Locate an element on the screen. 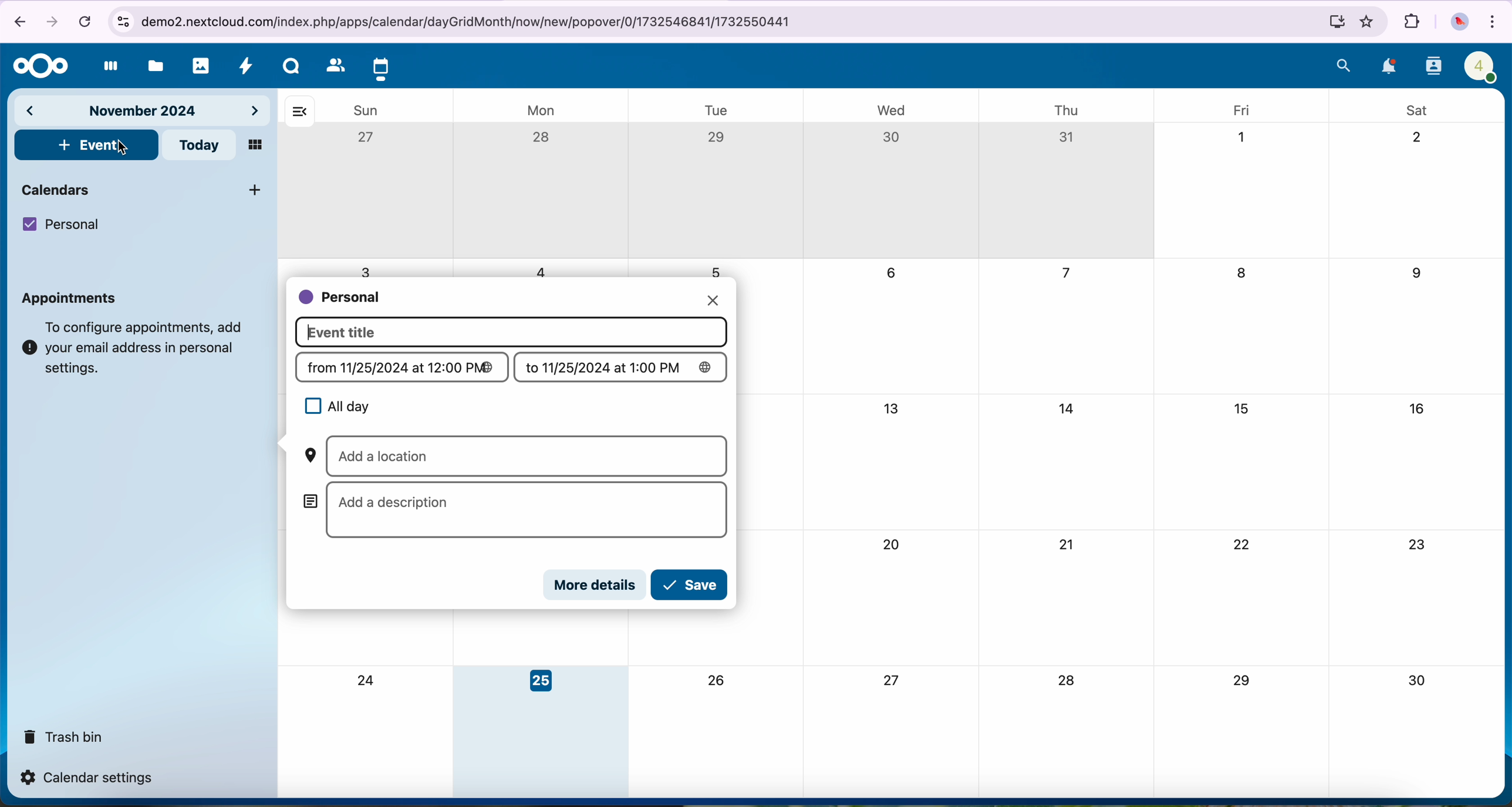 The height and width of the screenshot is (807, 1512). calendars is located at coordinates (144, 189).